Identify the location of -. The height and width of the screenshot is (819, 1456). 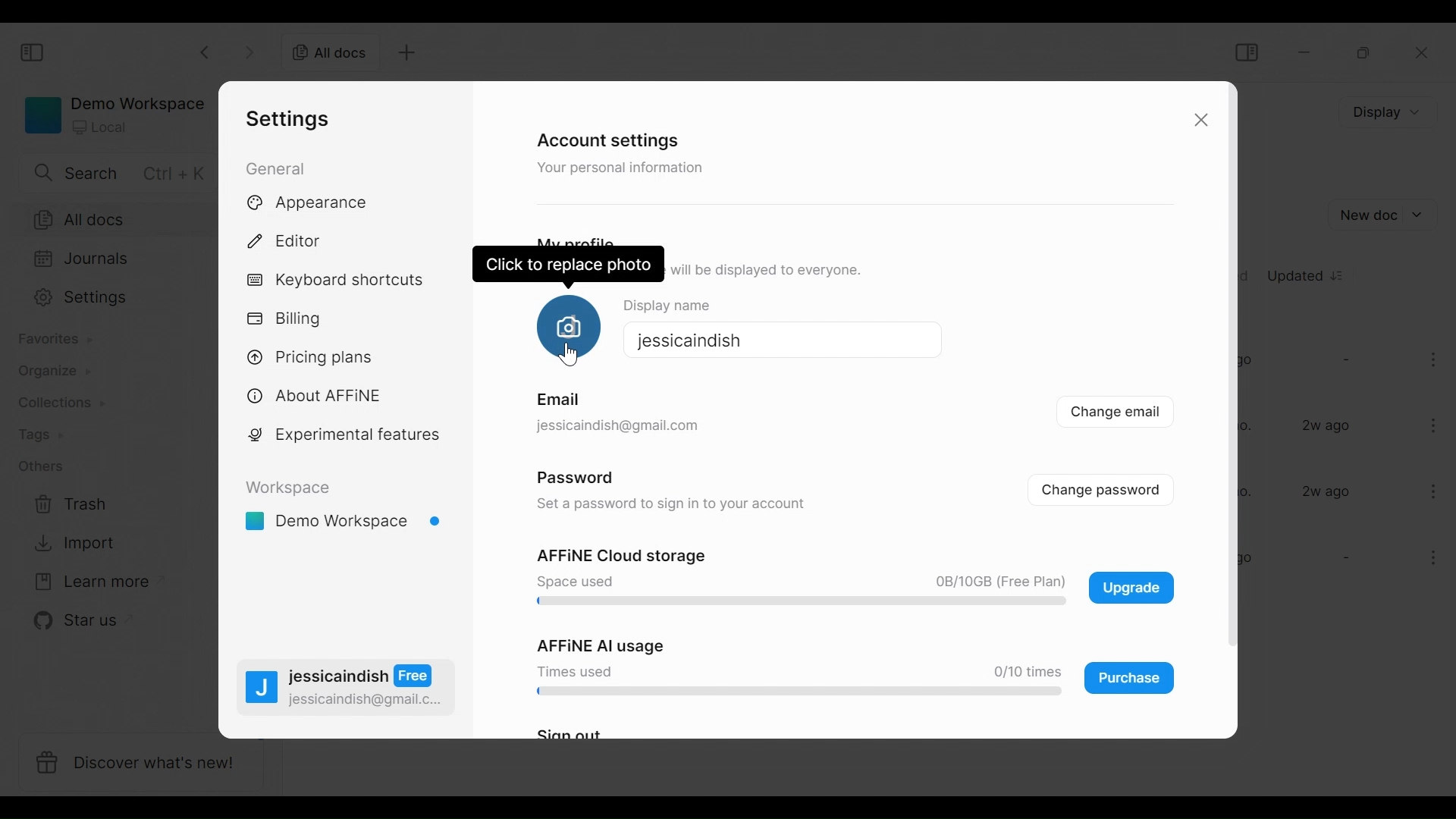
(1344, 559).